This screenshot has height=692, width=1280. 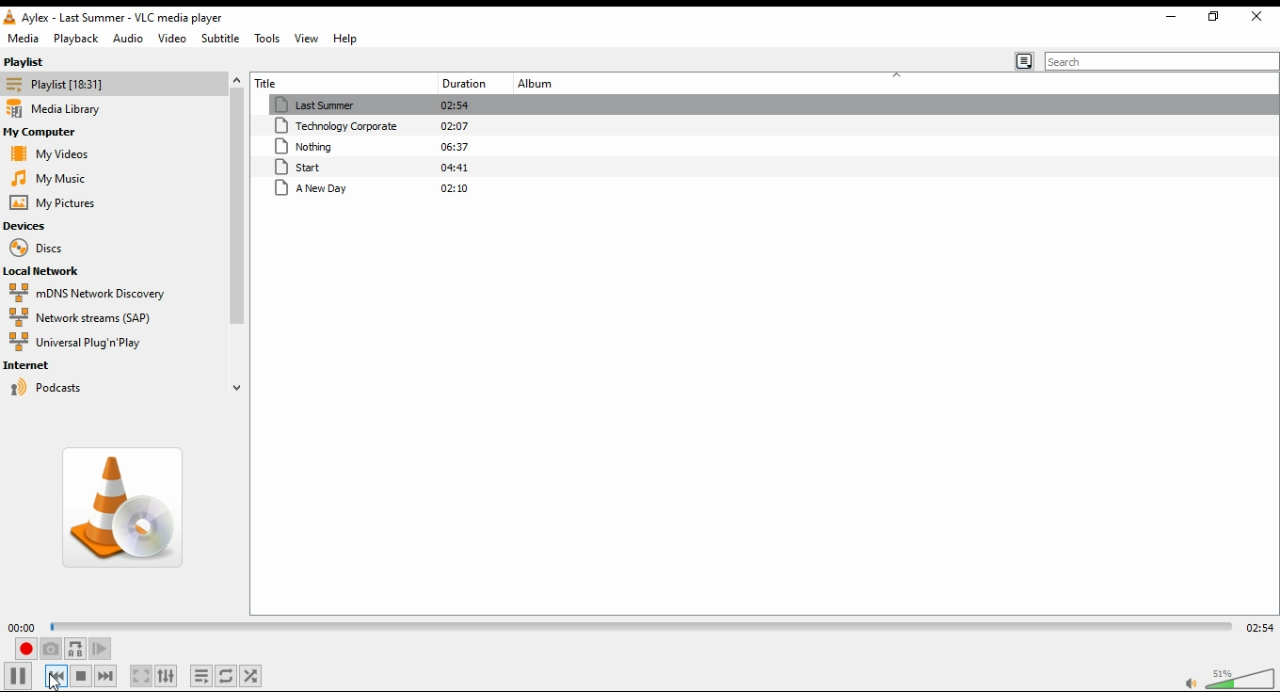 I want to click on mDNS network discovery, so click(x=86, y=293).